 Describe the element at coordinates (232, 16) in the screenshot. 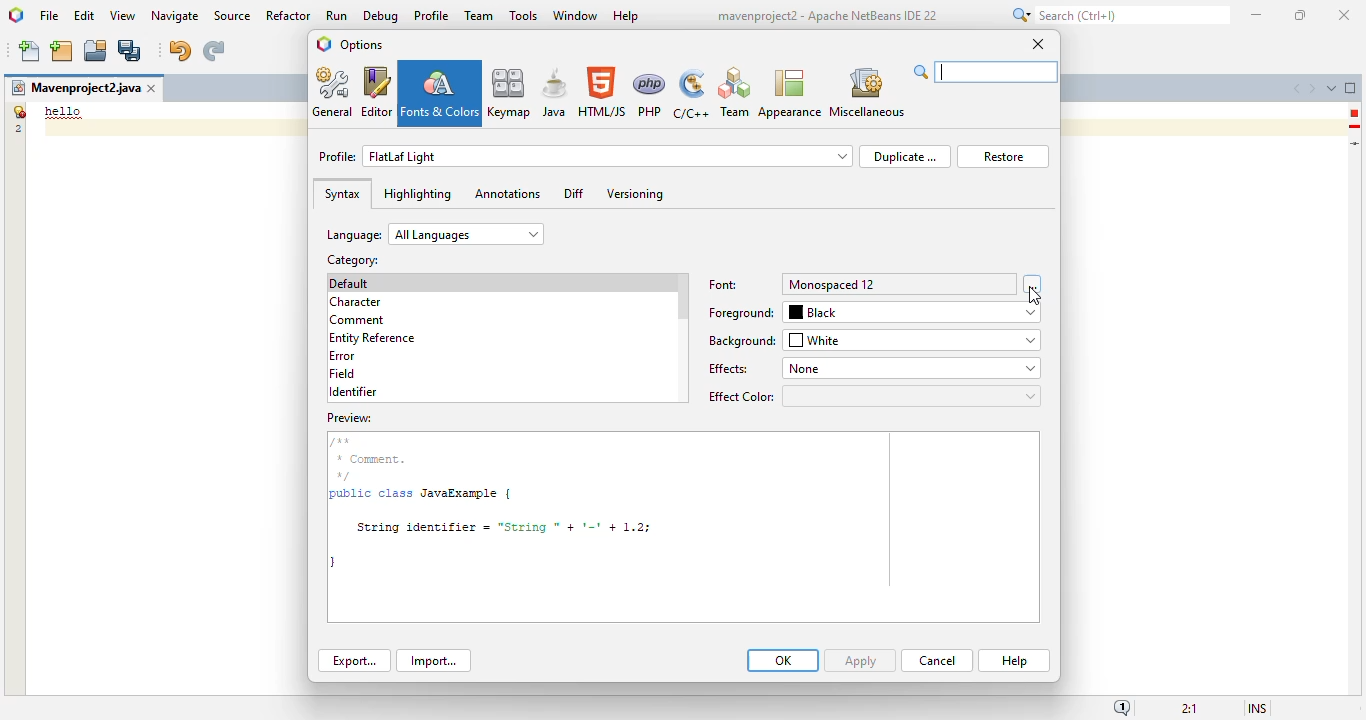

I see `source` at that location.